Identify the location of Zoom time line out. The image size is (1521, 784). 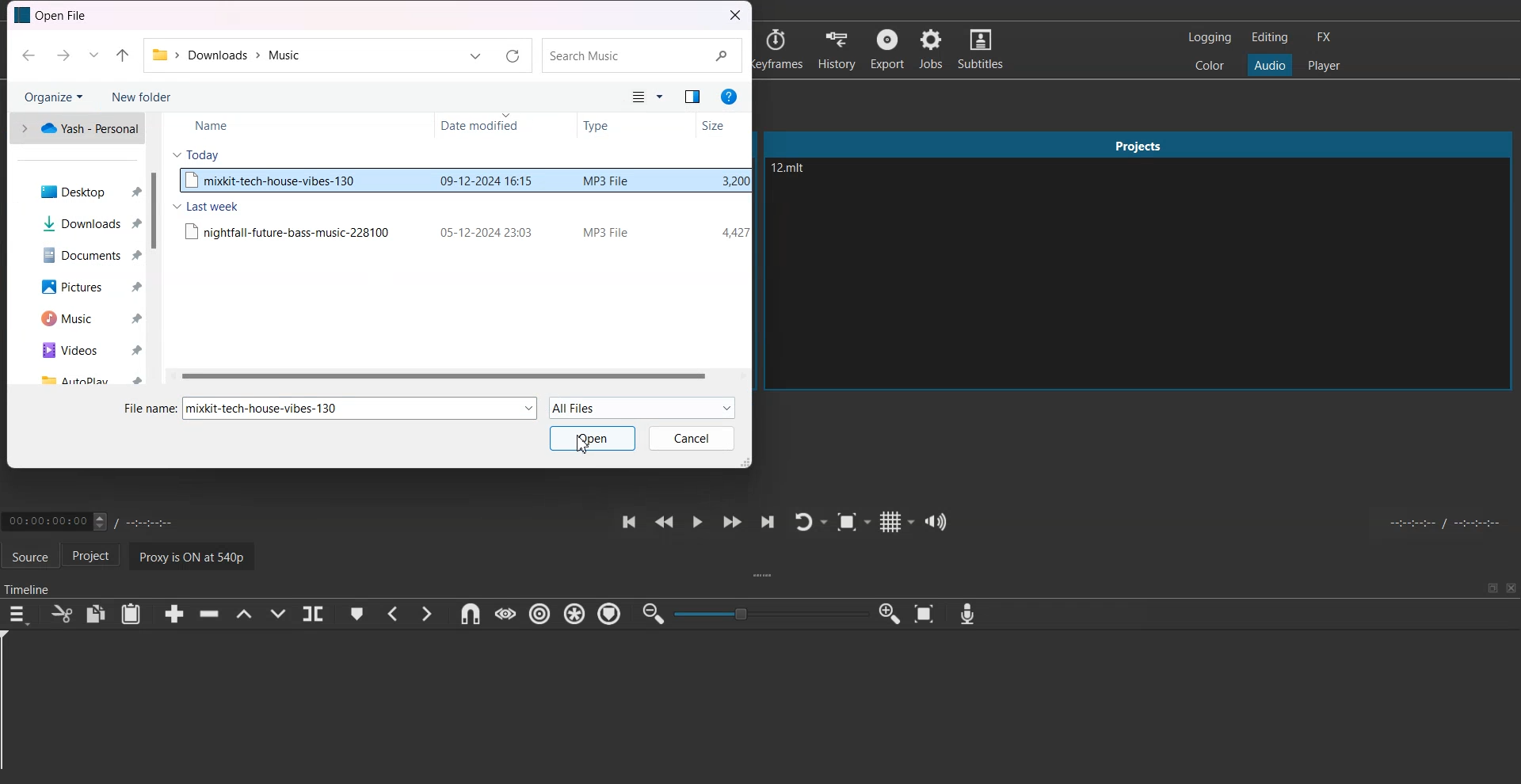
(652, 615).